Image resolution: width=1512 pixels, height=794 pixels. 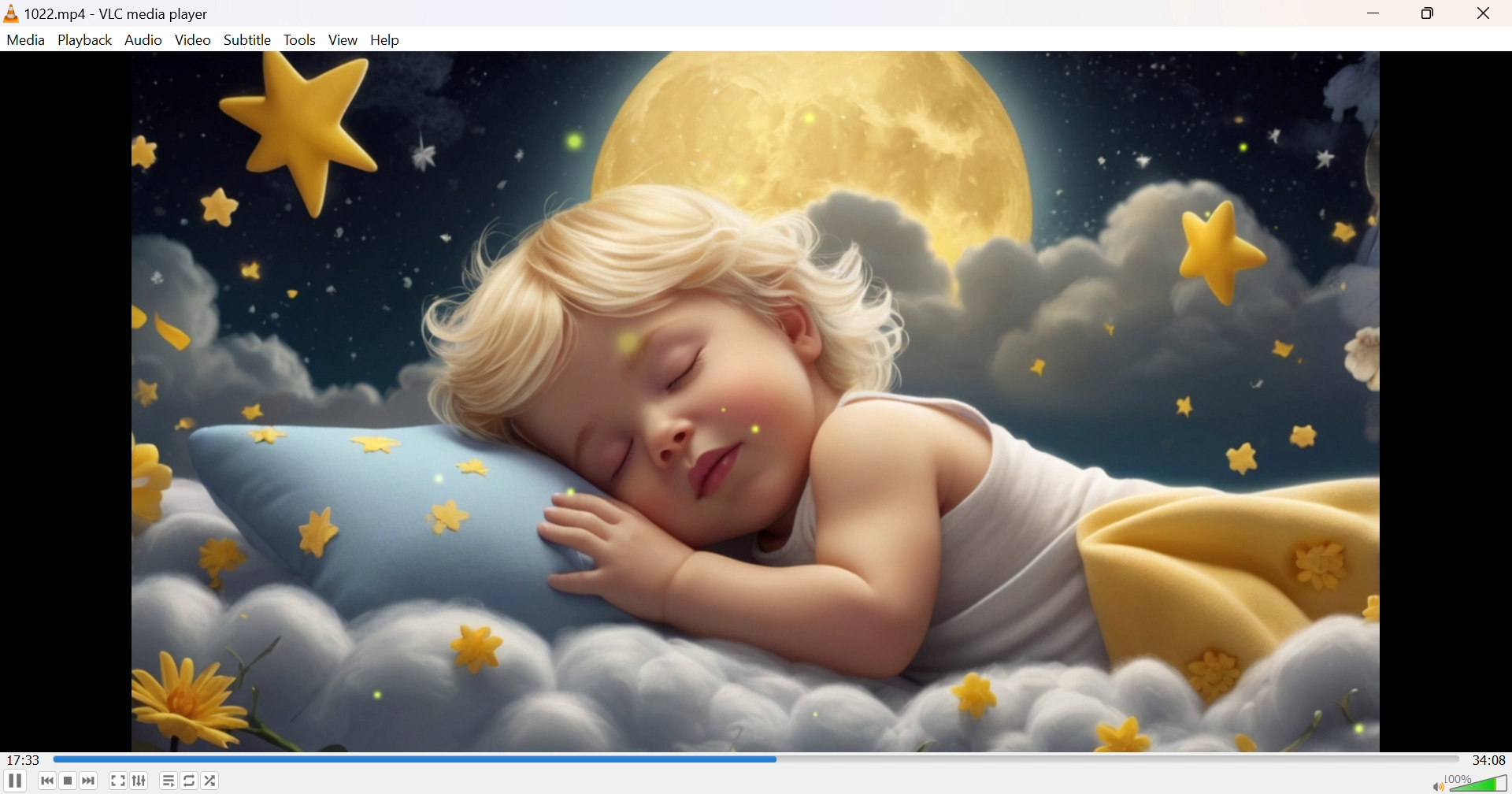 What do you see at coordinates (1486, 14) in the screenshot?
I see `Close` at bounding box center [1486, 14].